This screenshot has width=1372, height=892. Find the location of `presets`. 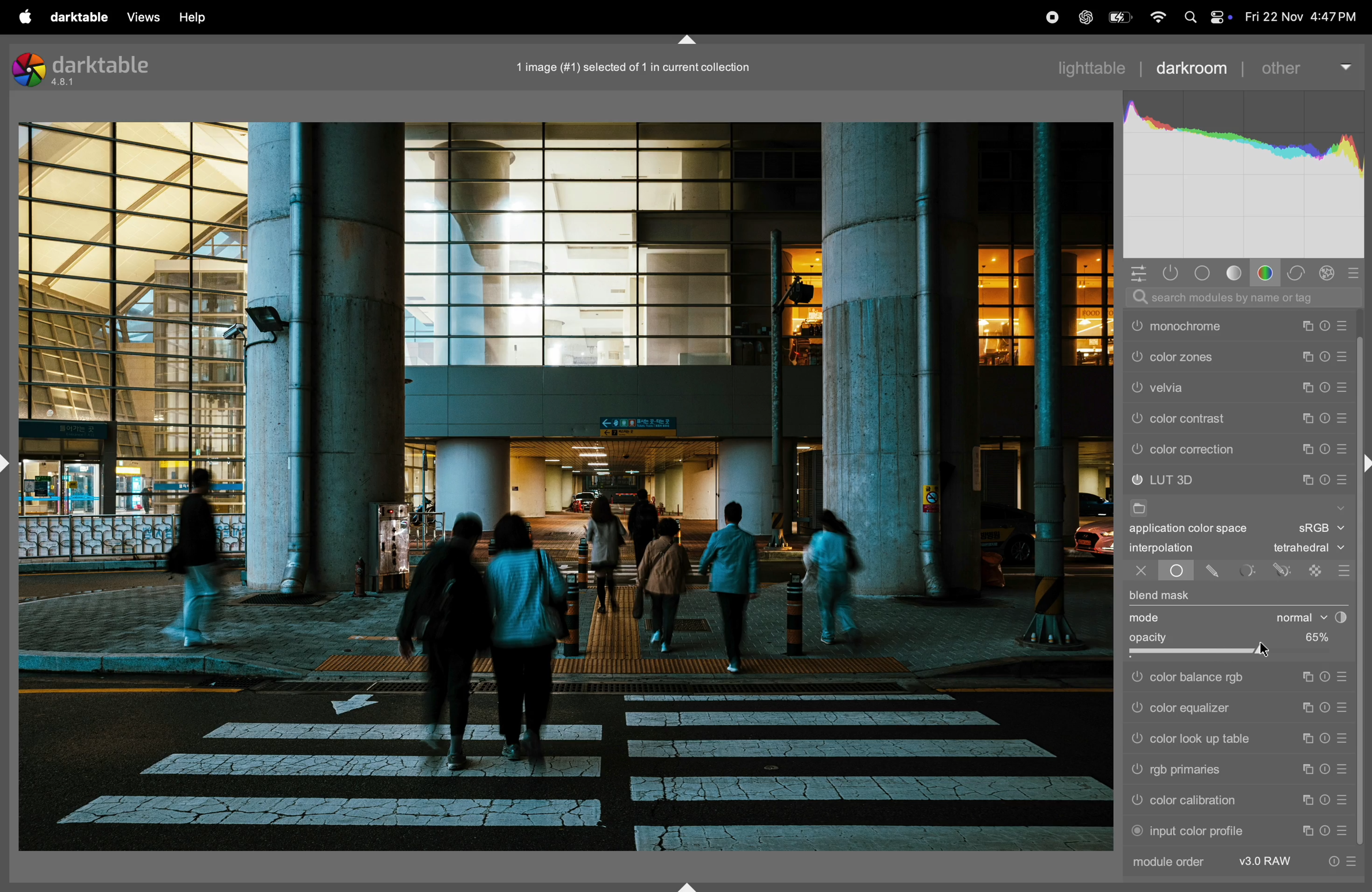

presets is located at coordinates (1347, 476).